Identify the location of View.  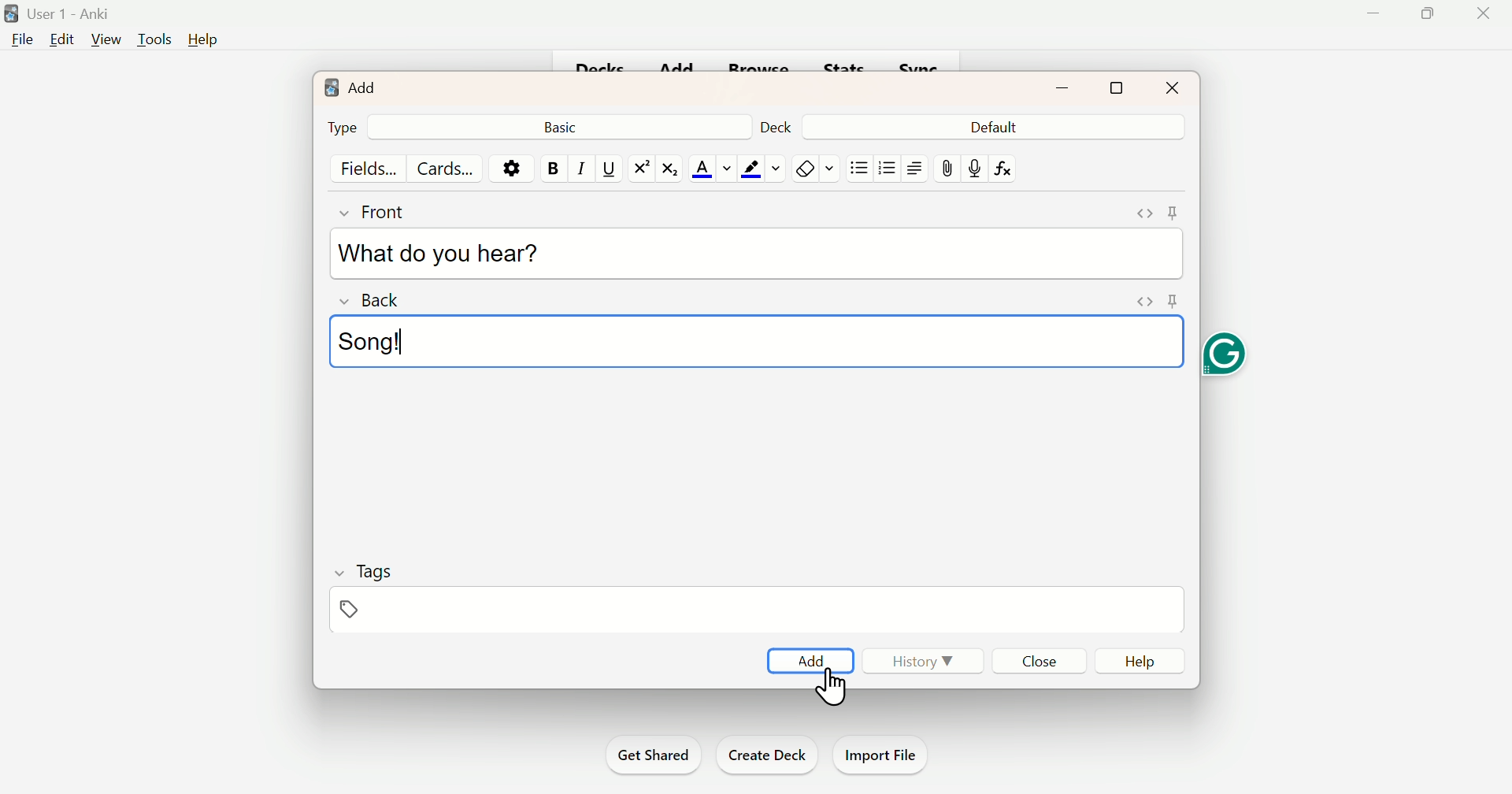
(104, 40).